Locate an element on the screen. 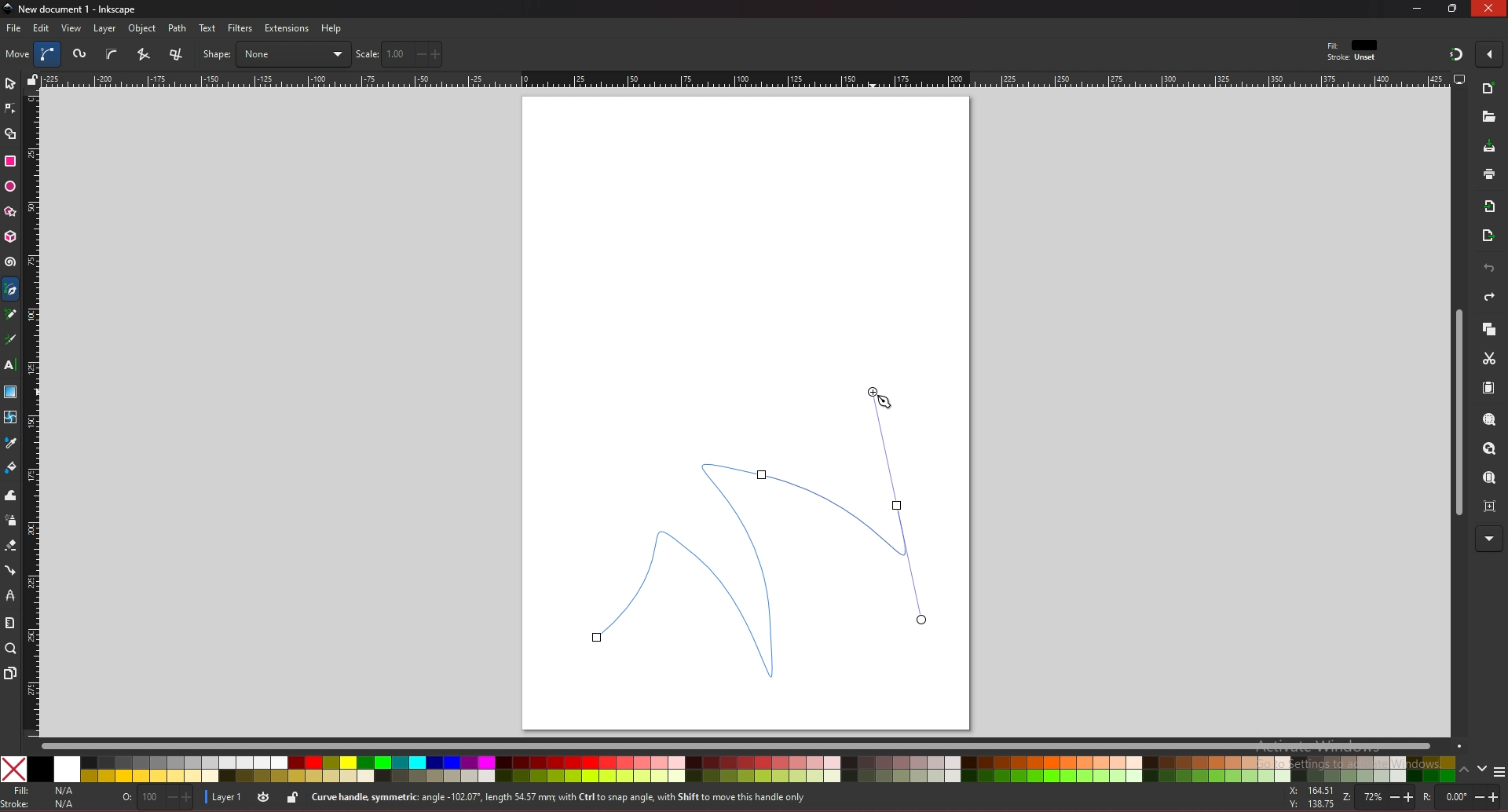 The width and height of the screenshot is (1508, 812). zoom is located at coordinates (1375, 796).